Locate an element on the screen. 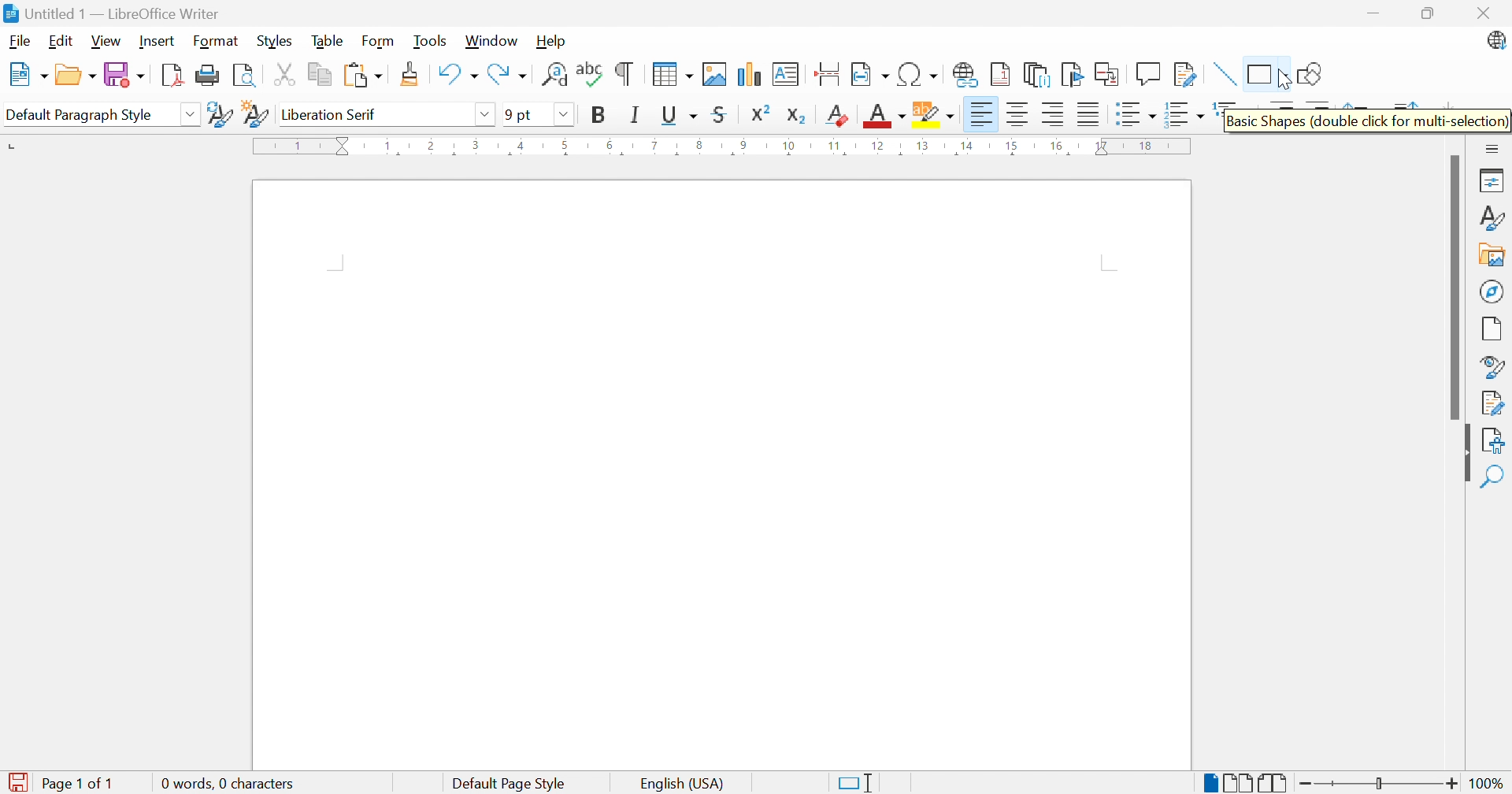 The height and width of the screenshot is (794, 1512). Justified is located at coordinates (1089, 114).